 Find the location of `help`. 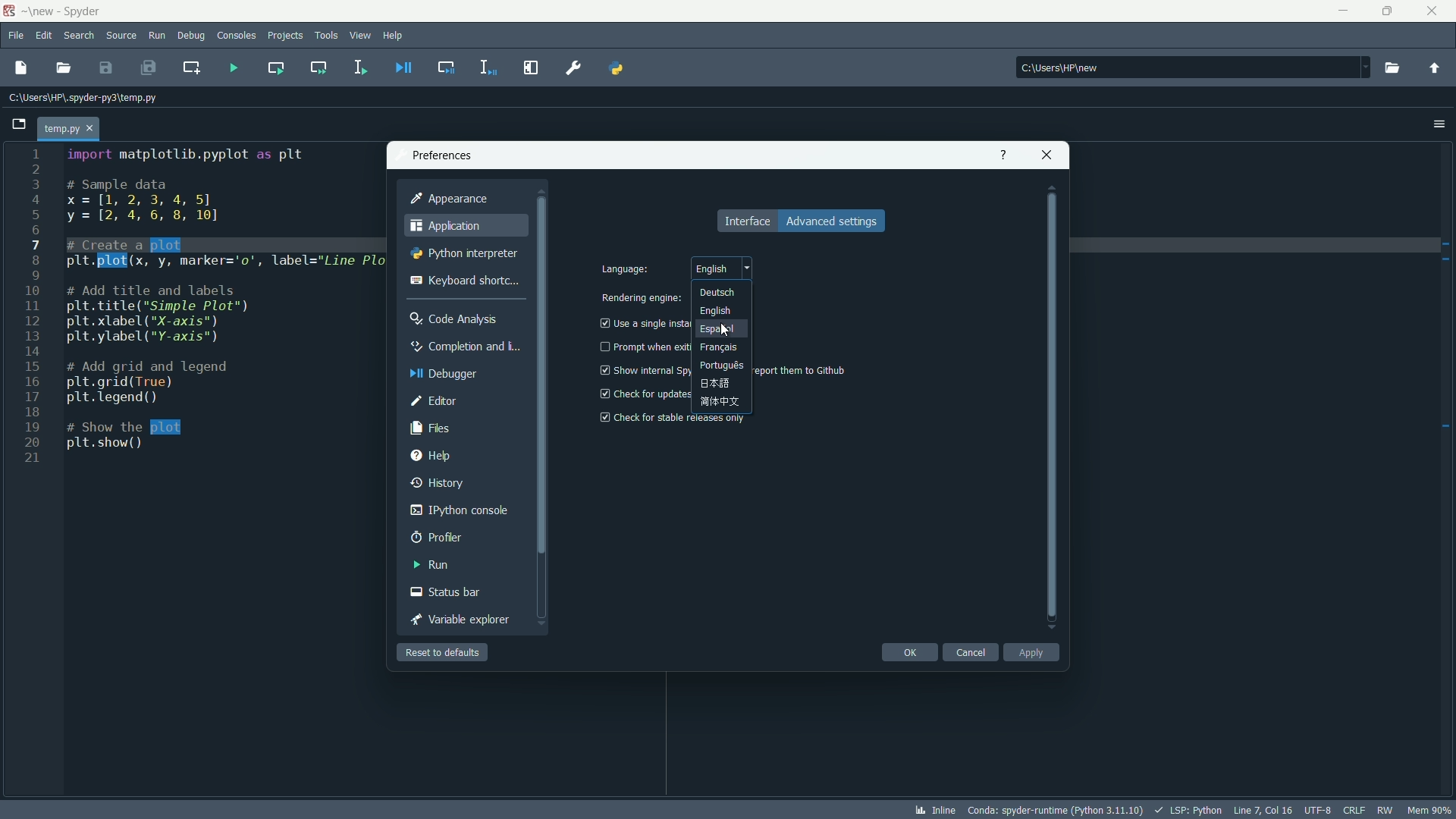

help is located at coordinates (394, 36).